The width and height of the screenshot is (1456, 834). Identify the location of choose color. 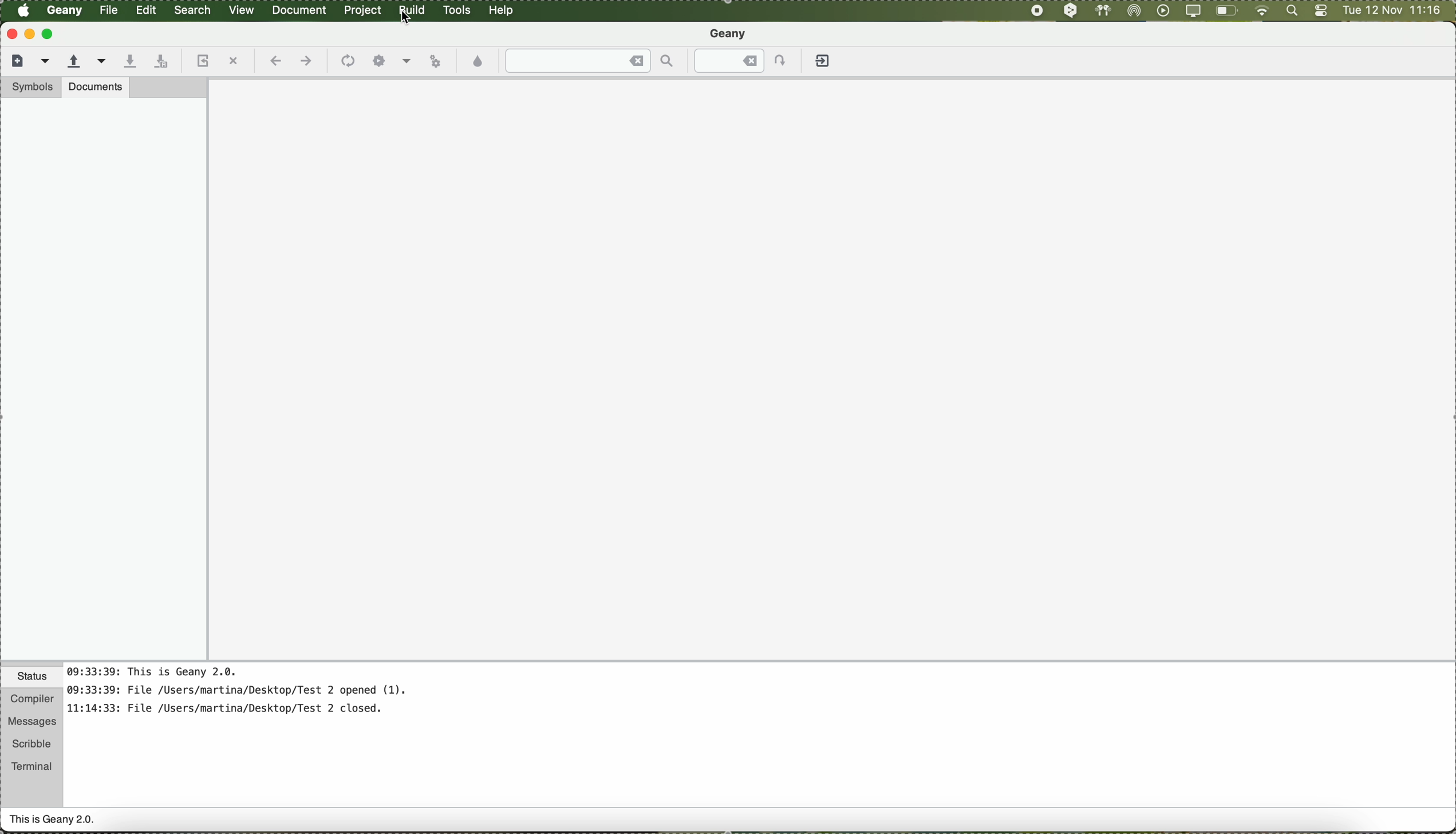
(479, 62).